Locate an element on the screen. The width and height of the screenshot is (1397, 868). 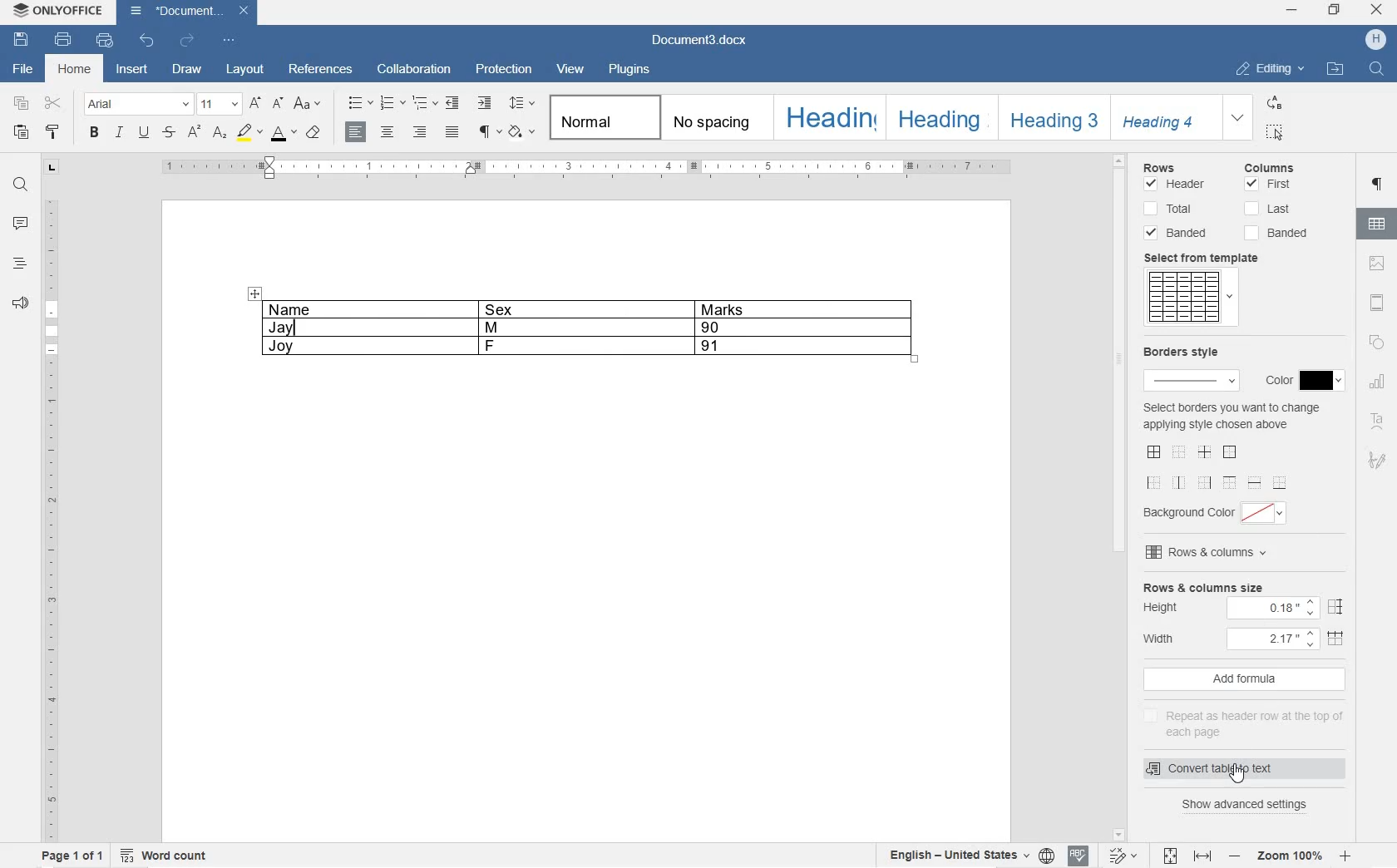
NONPRINTING CHARACTERS is located at coordinates (489, 134).